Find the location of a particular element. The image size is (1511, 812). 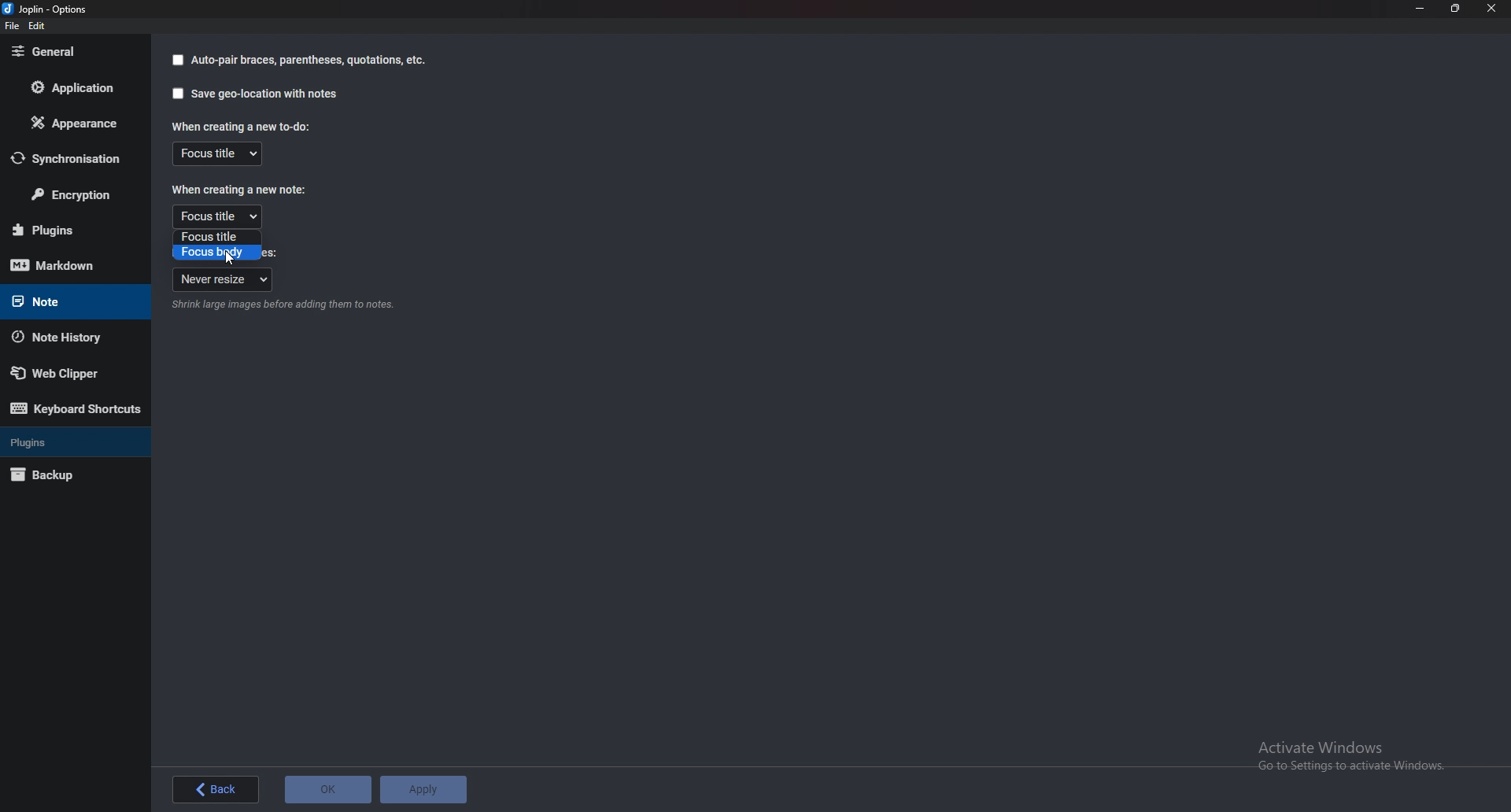

Activate Windows
Go to Settings to activate Windows. is located at coordinates (1353, 755).